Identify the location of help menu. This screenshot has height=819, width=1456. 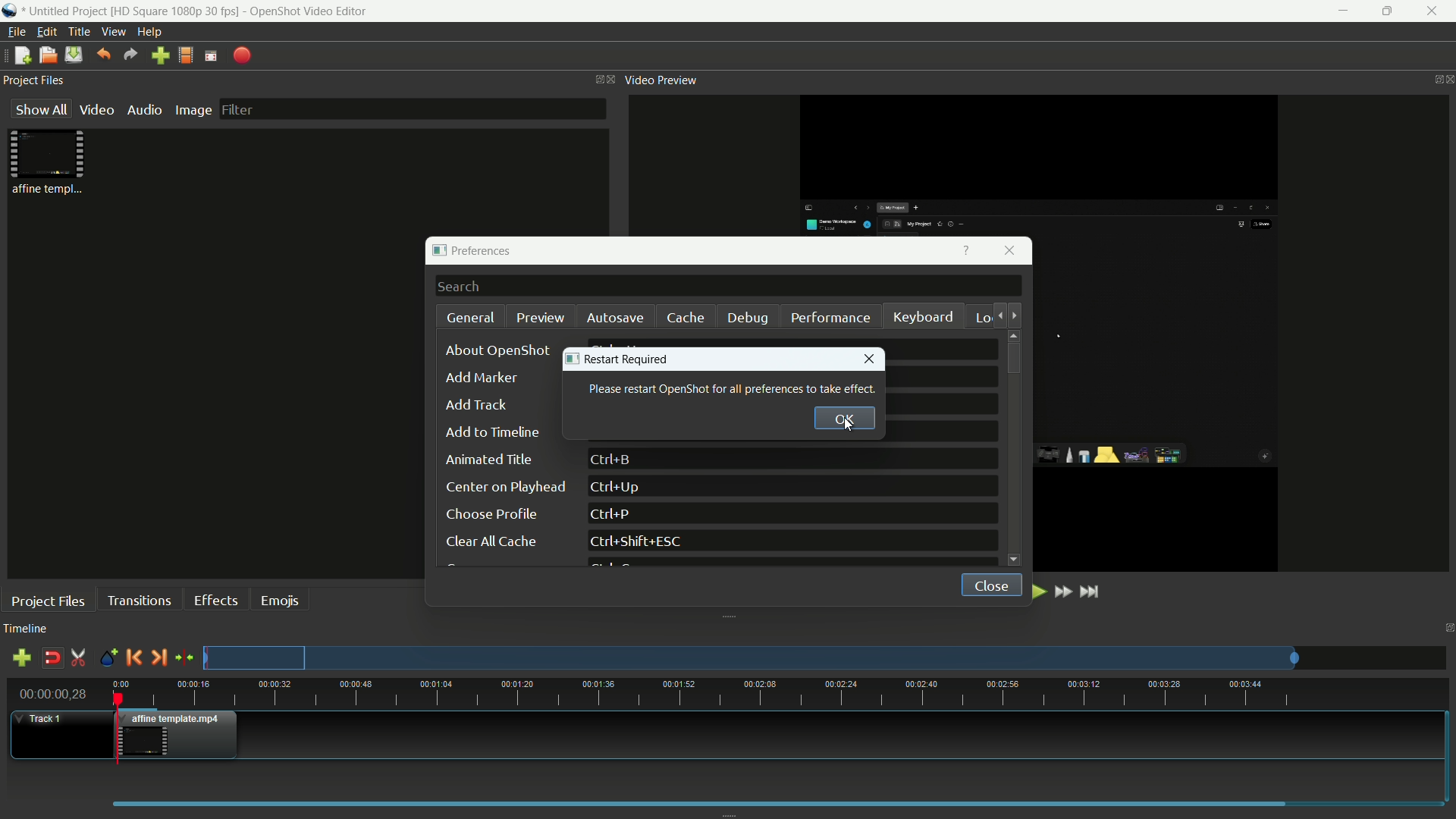
(152, 33).